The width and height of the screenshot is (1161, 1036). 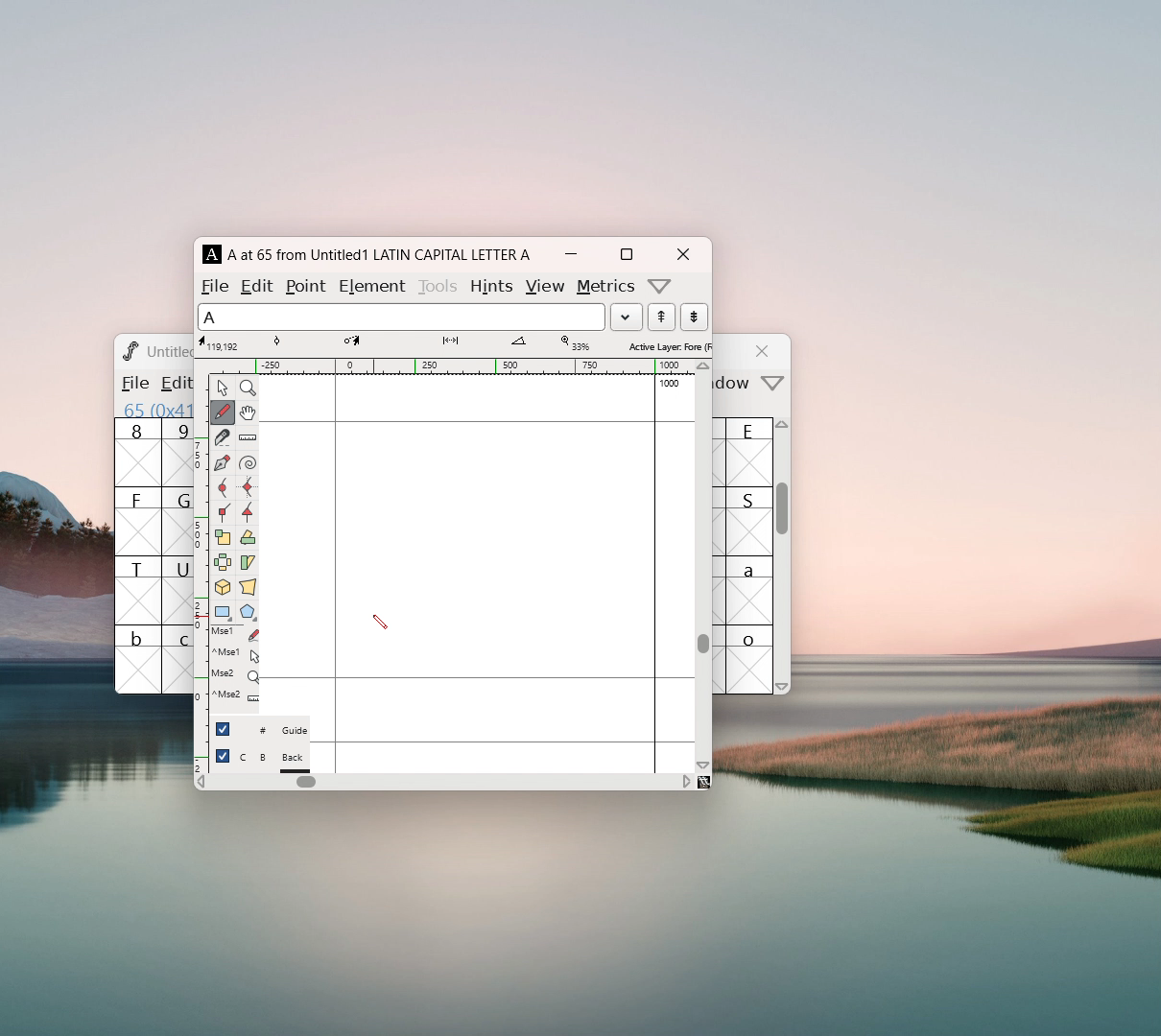 I want to click on Untitled? Untitled1.sfd (1508859-1), so click(x=170, y=351).